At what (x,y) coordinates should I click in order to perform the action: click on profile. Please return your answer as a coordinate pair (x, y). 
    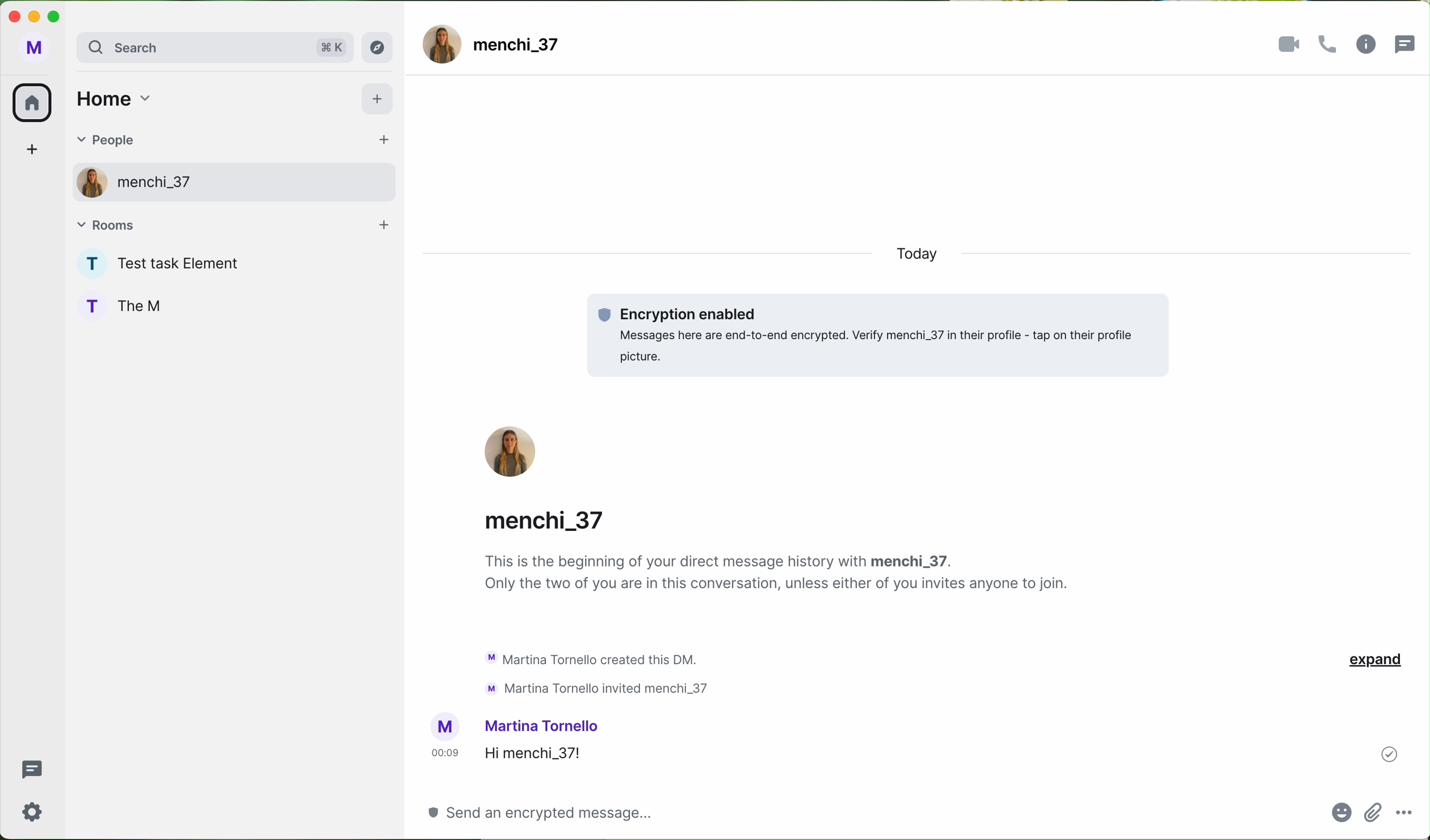
    Looking at the image, I should click on (87, 182).